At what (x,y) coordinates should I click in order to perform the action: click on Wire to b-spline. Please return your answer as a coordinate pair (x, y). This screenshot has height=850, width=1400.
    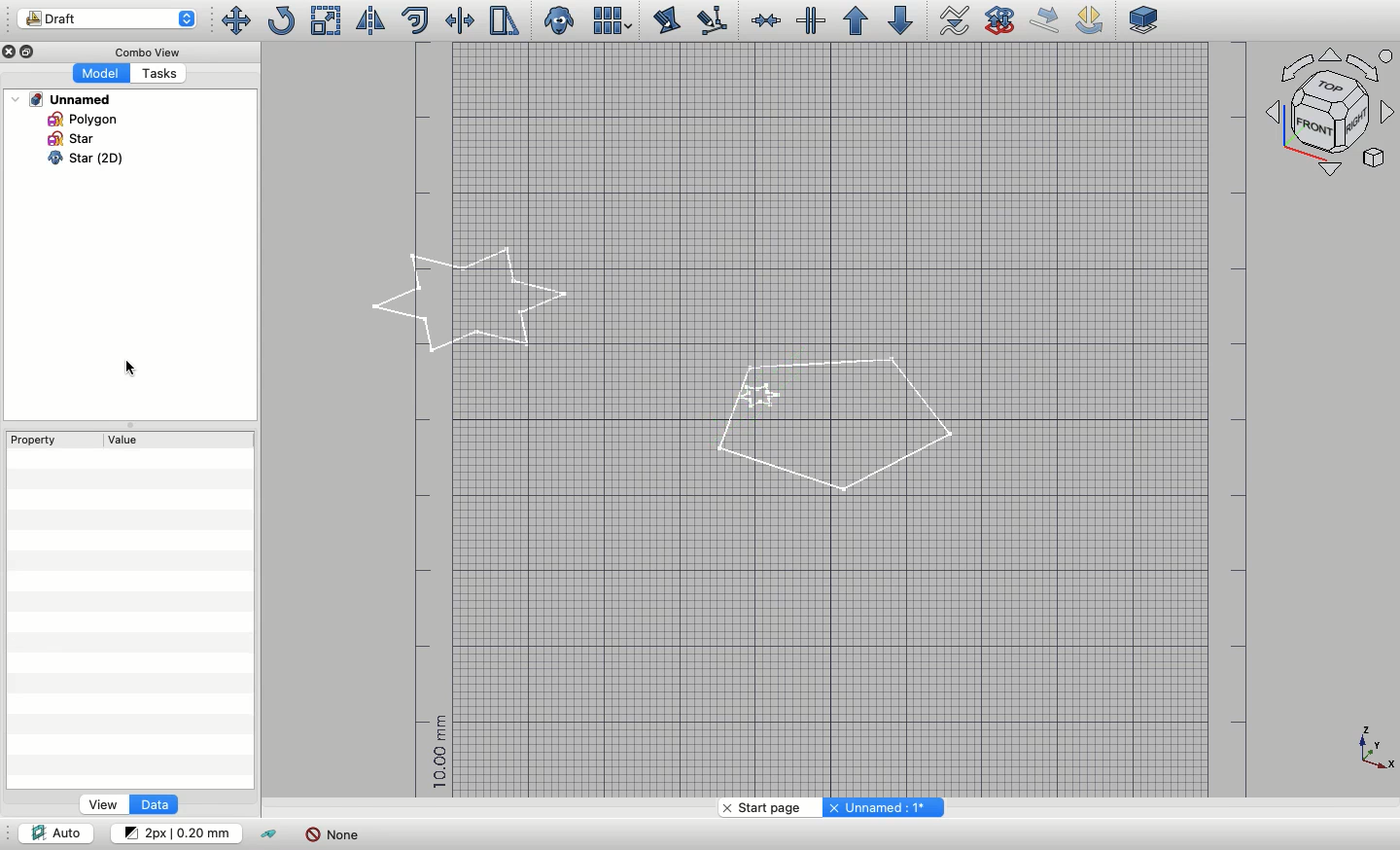
    Looking at the image, I should click on (949, 21).